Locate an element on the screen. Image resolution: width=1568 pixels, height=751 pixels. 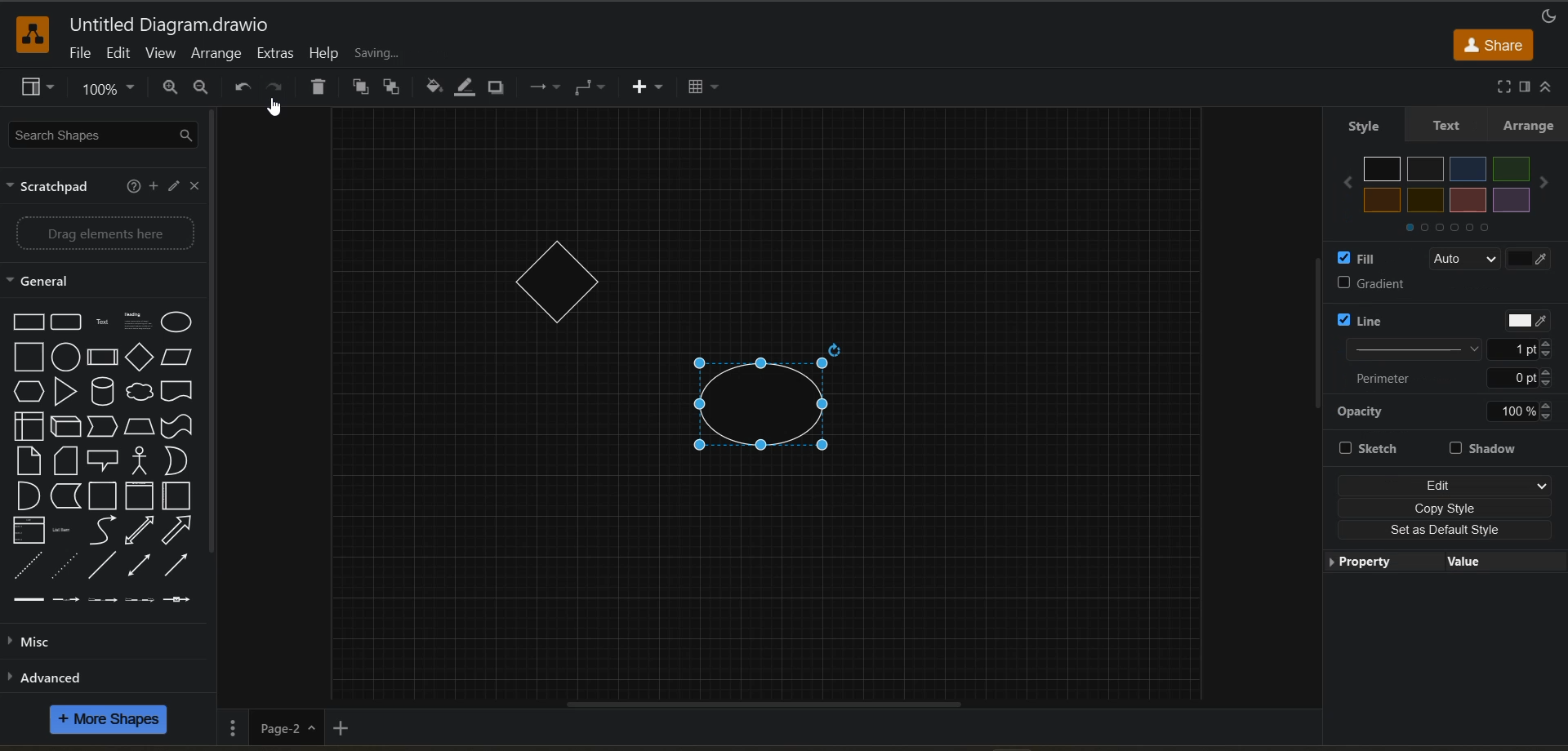
connector with symbol is located at coordinates (176, 601).